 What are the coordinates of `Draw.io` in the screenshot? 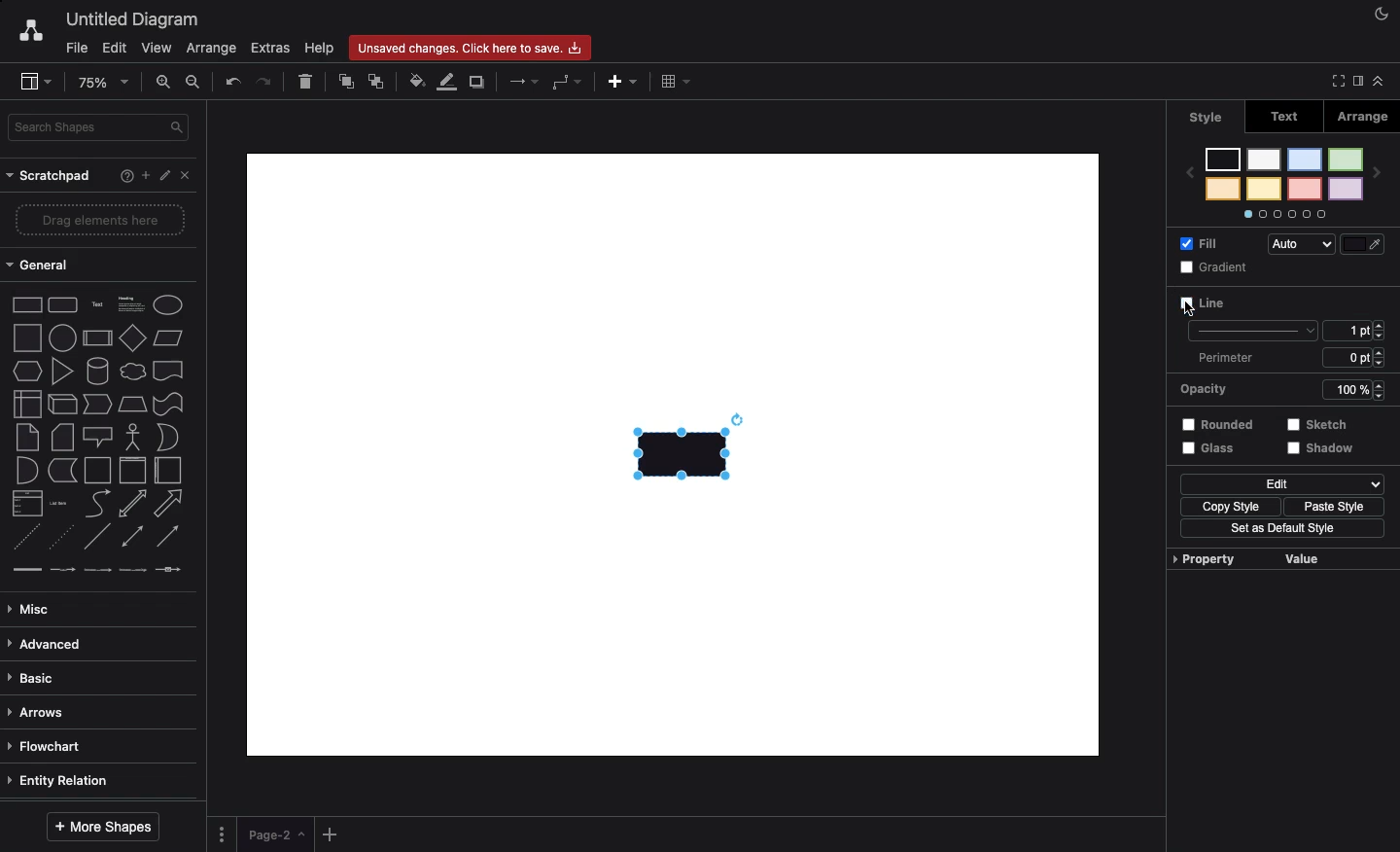 It's located at (32, 34).